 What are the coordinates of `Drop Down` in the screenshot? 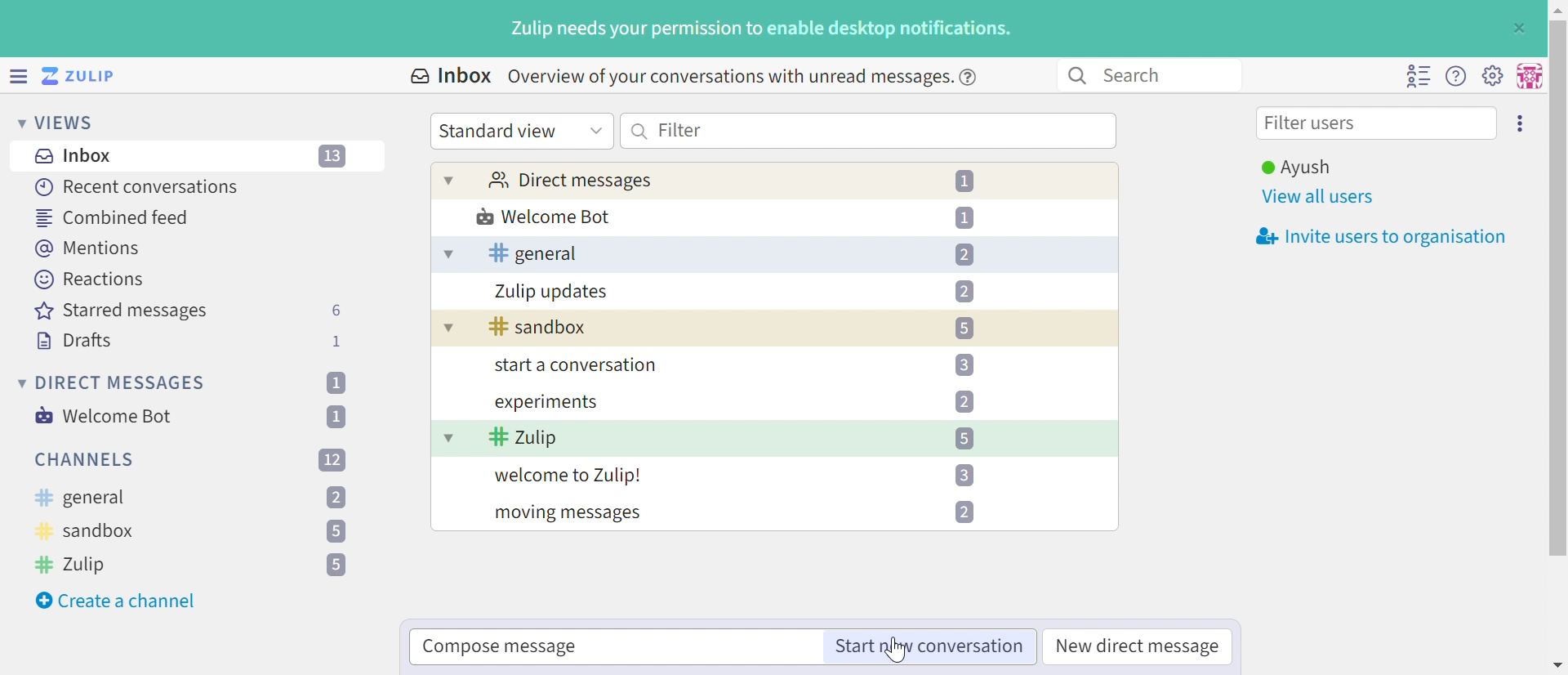 It's located at (447, 255).